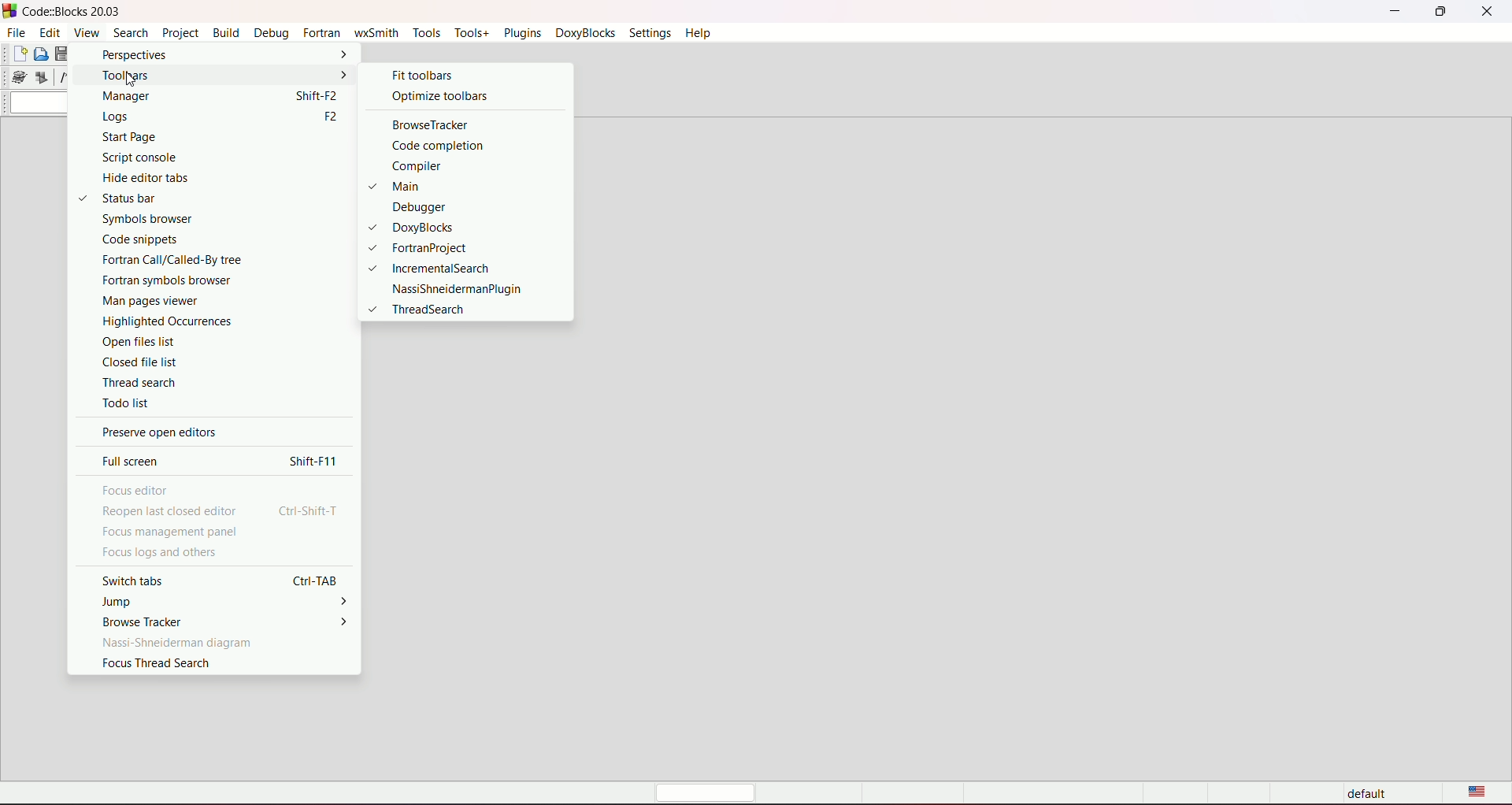 This screenshot has width=1512, height=805. What do you see at coordinates (649, 33) in the screenshot?
I see `settings` at bounding box center [649, 33].